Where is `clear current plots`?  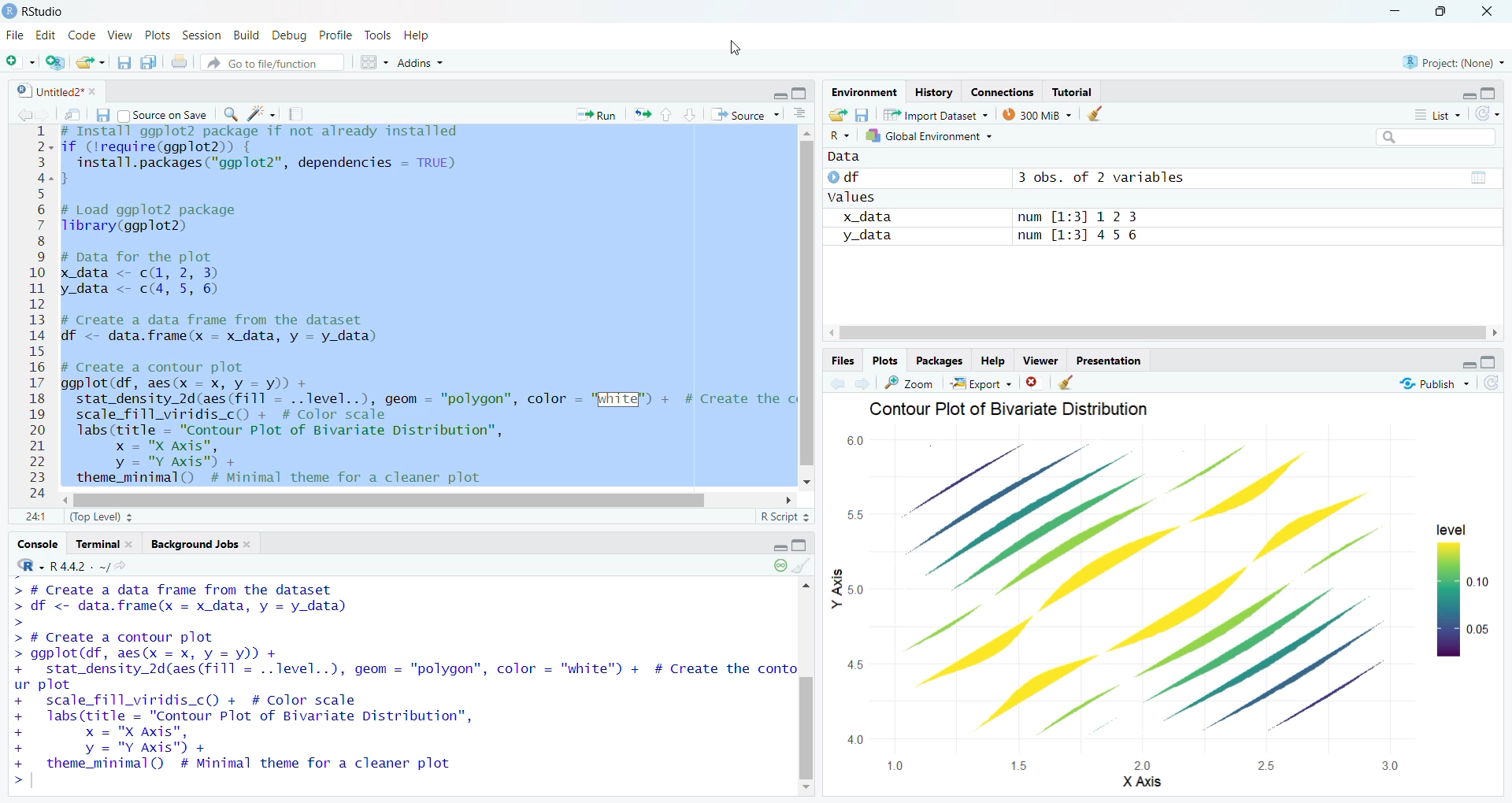 clear current plots is located at coordinates (1032, 383).